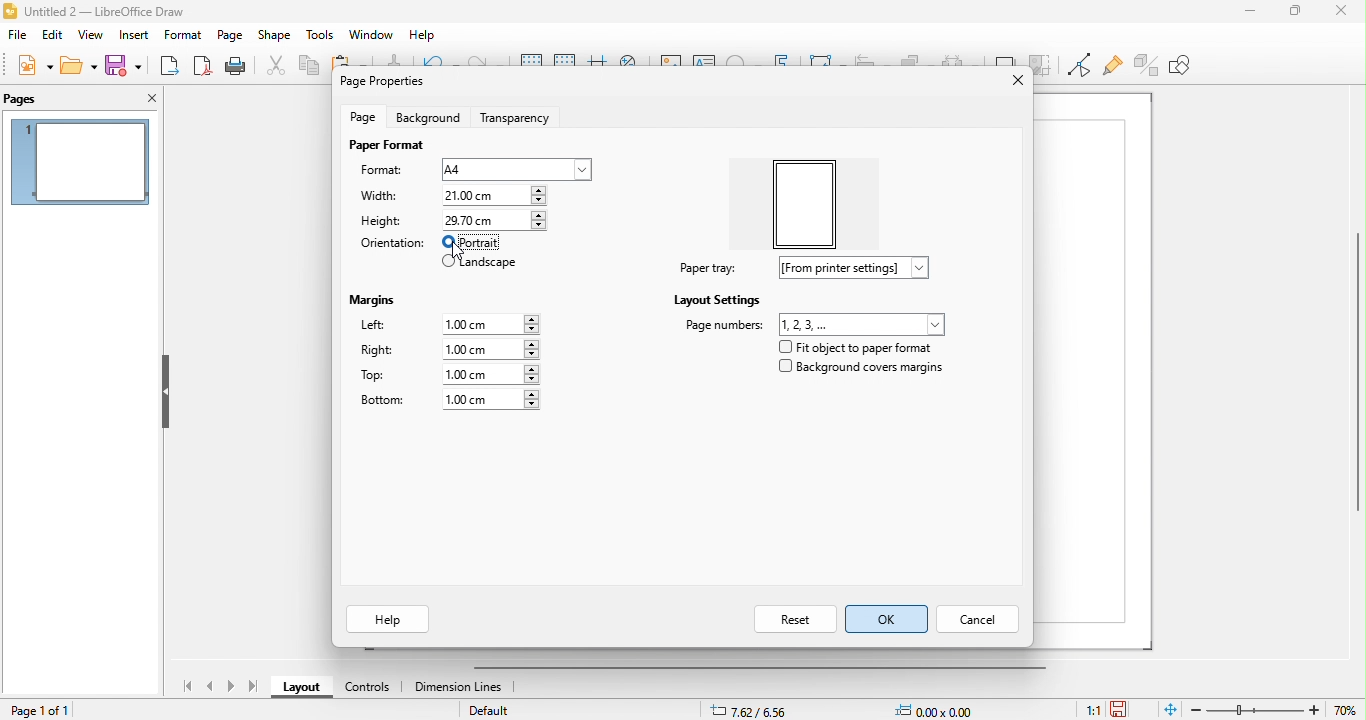  What do you see at coordinates (43, 99) in the screenshot?
I see `pages` at bounding box center [43, 99].